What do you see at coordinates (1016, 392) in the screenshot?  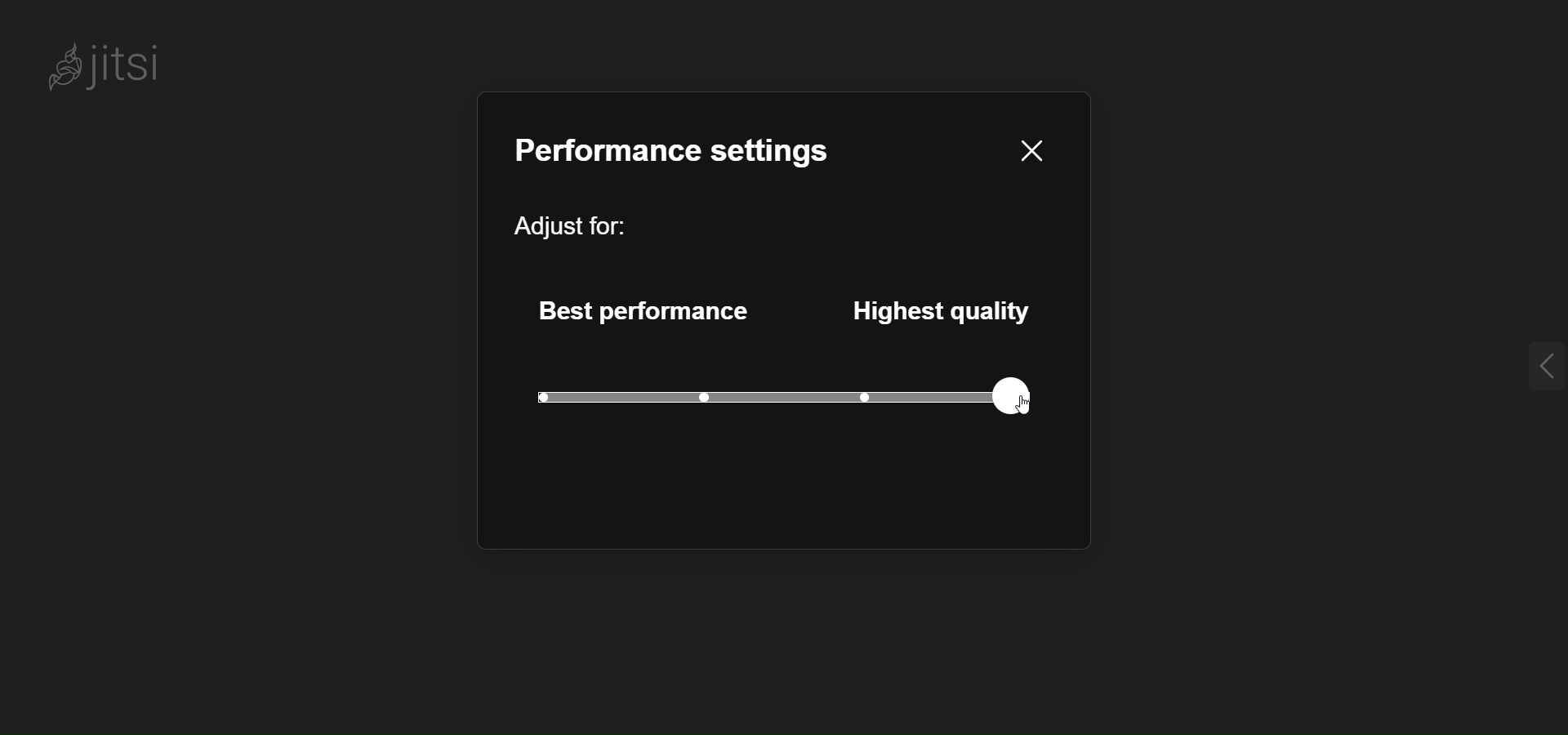 I see `set quality to highest quality` at bounding box center [1016, 392].